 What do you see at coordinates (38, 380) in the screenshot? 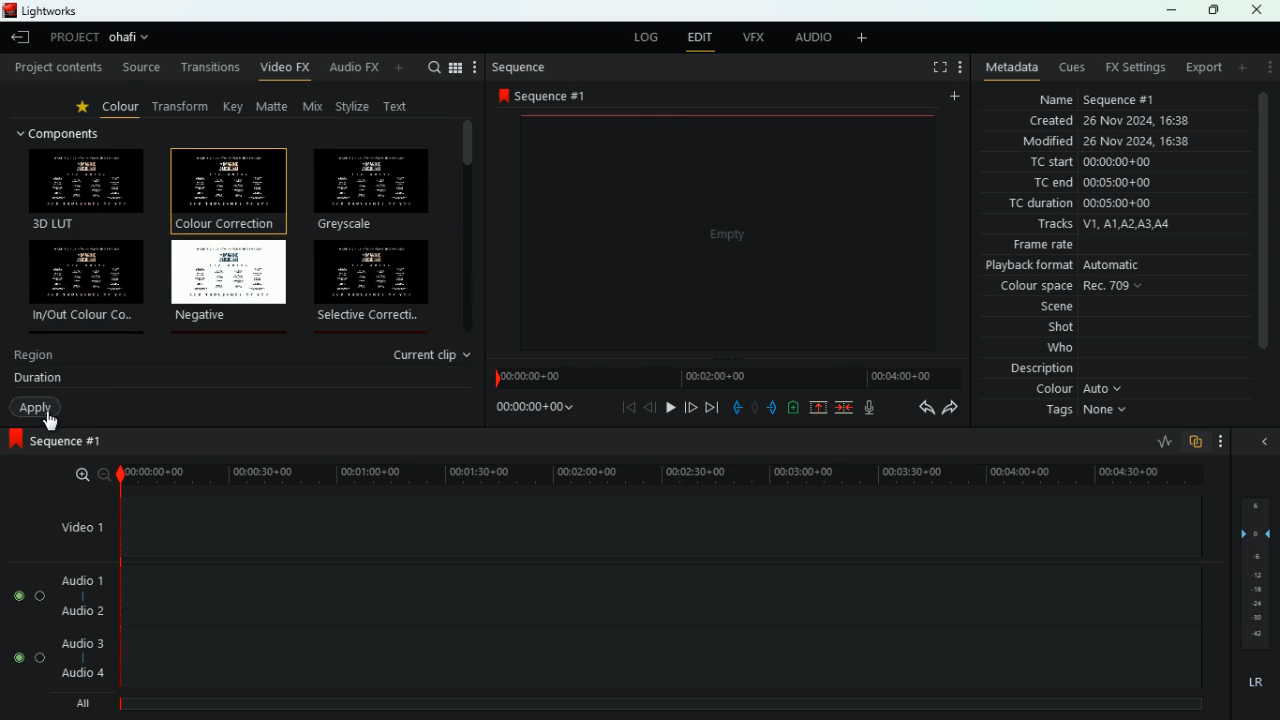
I see `duration` at bounding box center [38, 380].